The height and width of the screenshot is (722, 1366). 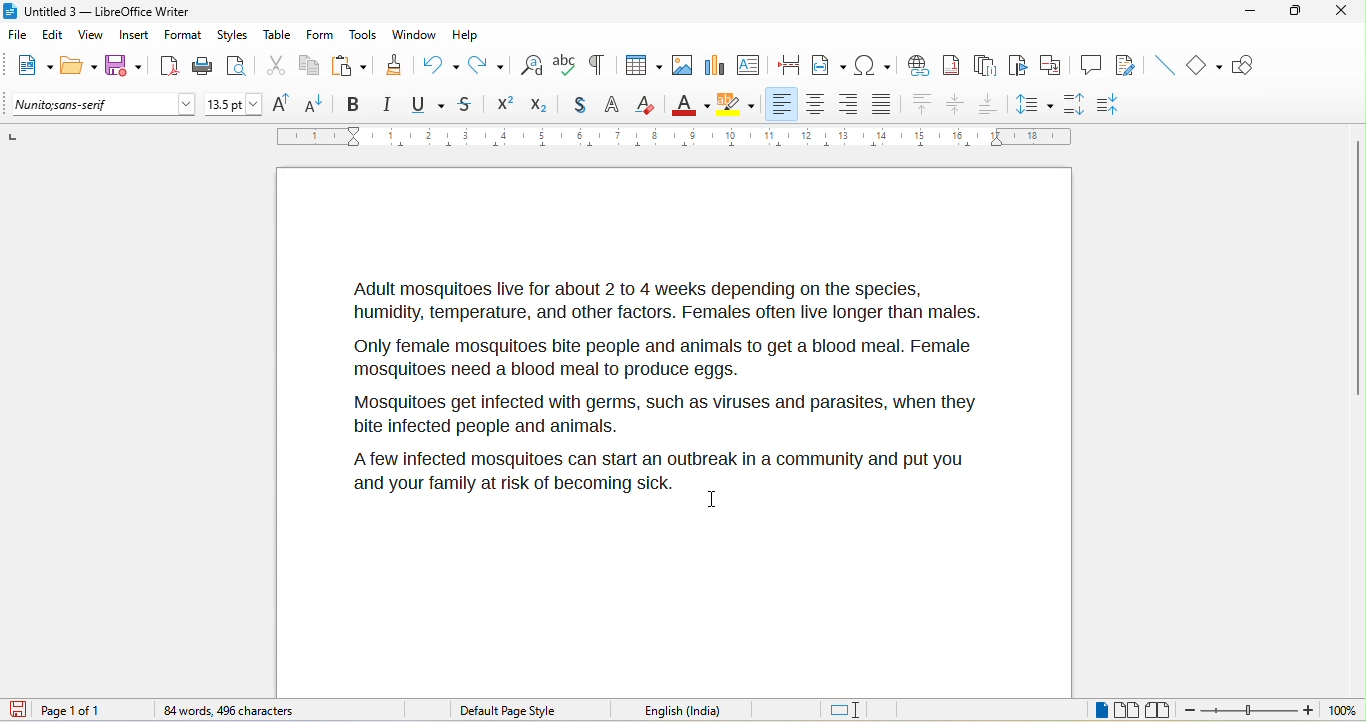 What do you see at coordinates (1092, 711) in the screenshot?
I see `single page view` at bounding box center [1092, 711].